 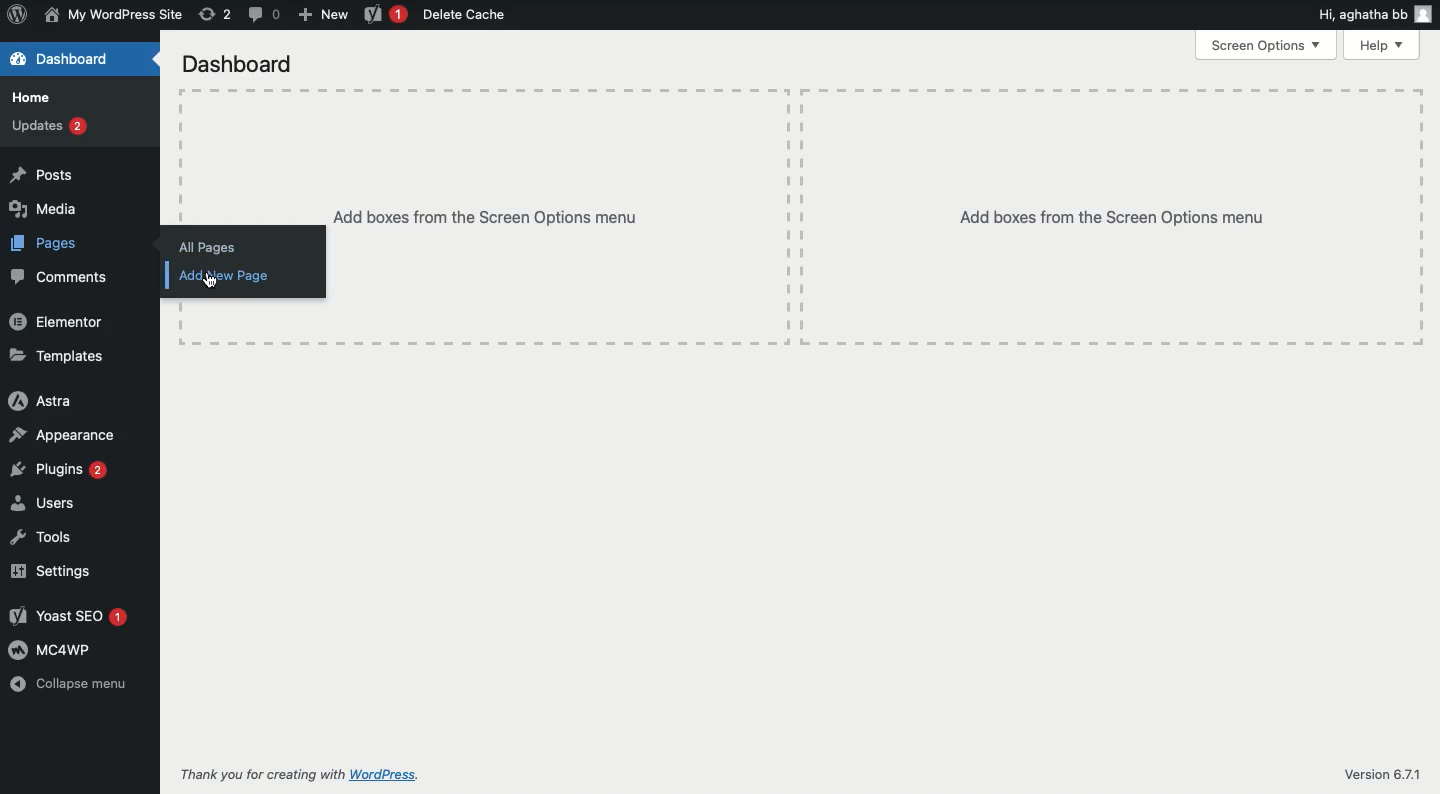 I want to click on Thank you for creating with, so click(x=259, y=773).